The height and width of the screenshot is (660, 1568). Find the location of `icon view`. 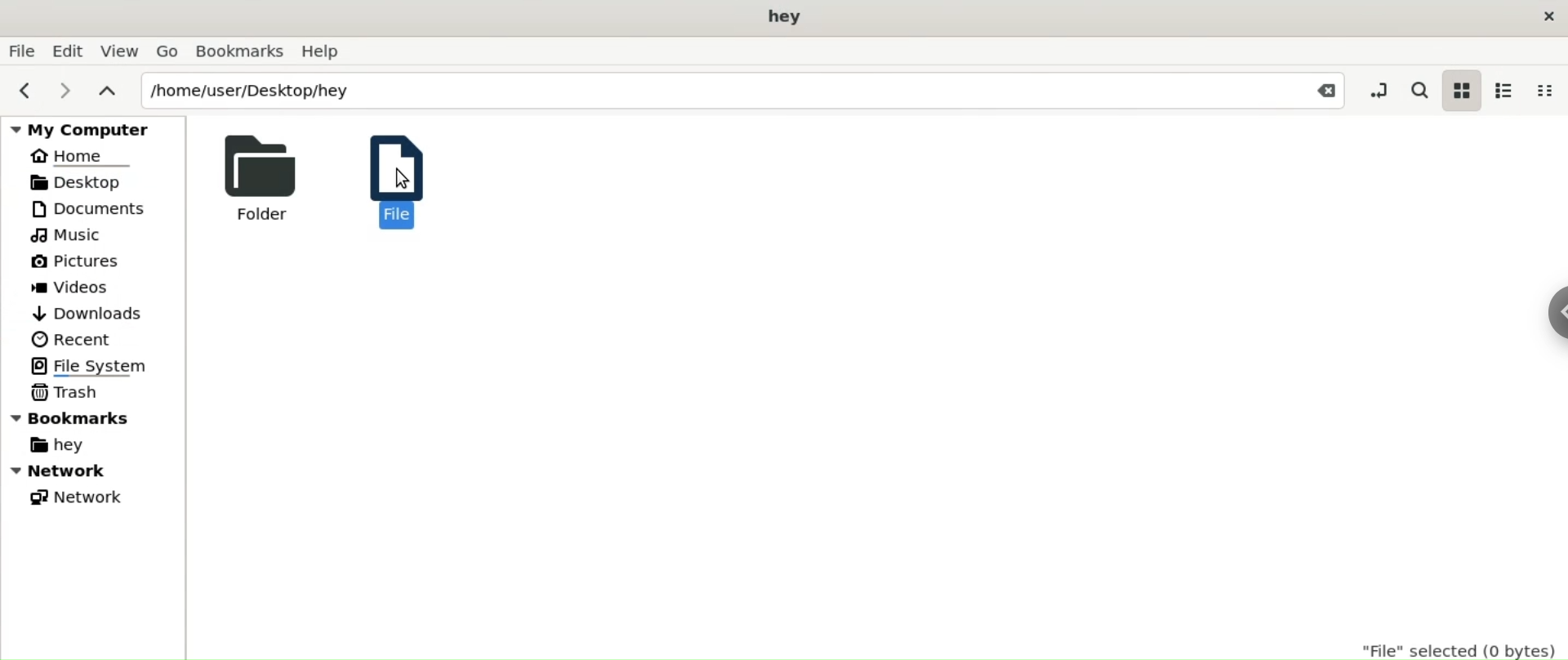

icon view is located at coordinates (1463, 93).